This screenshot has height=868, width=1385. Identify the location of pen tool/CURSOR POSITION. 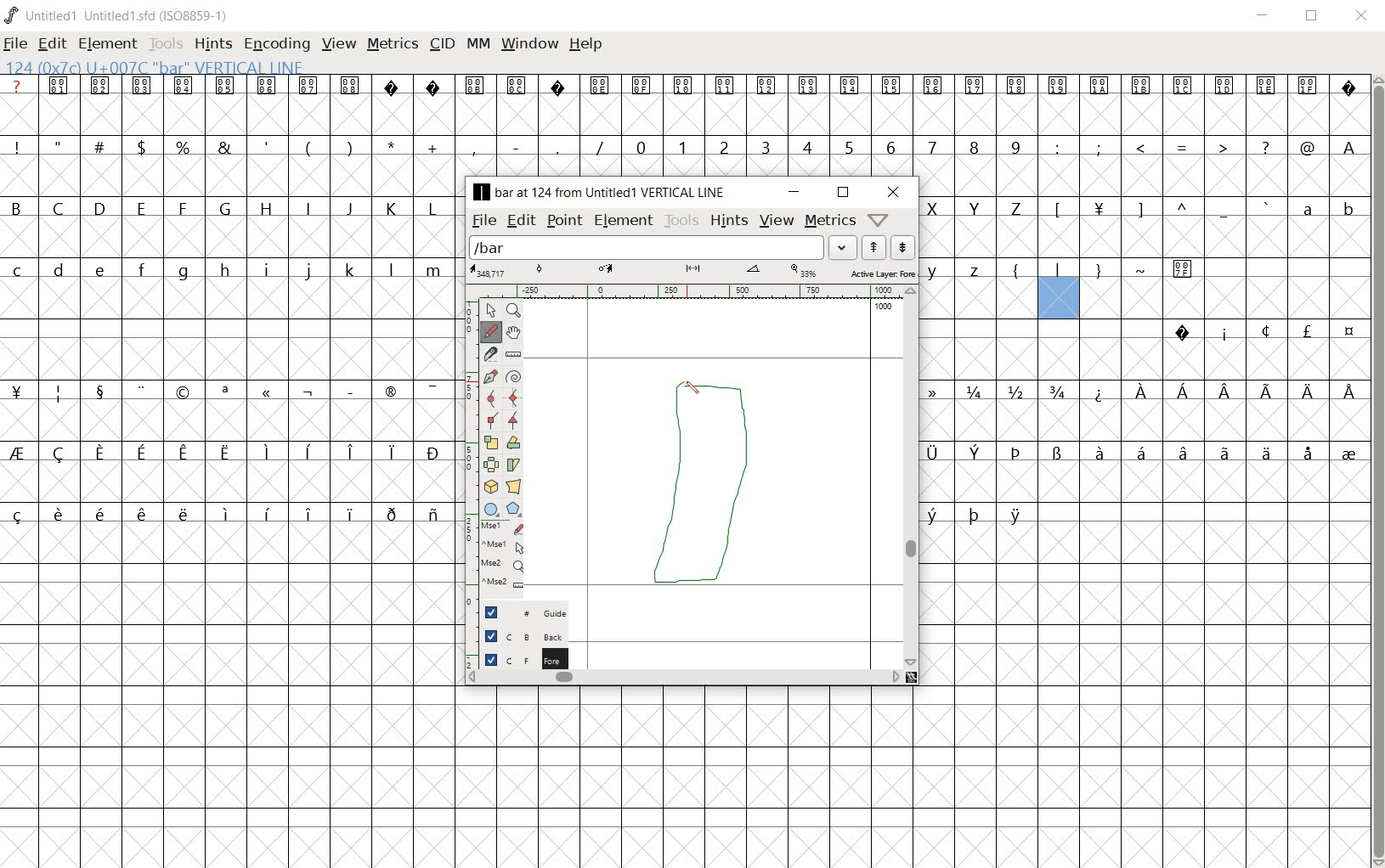
(691, 394).